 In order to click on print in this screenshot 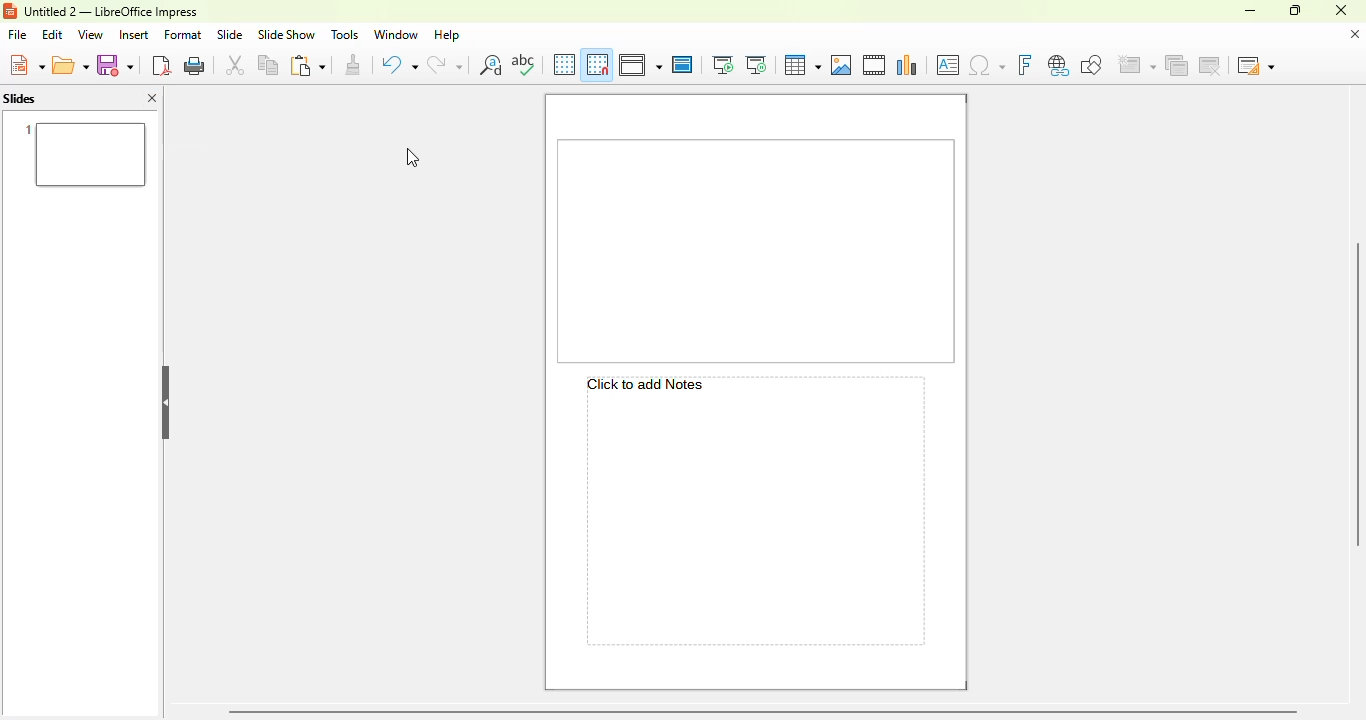, I will do `click(195, 65)`.